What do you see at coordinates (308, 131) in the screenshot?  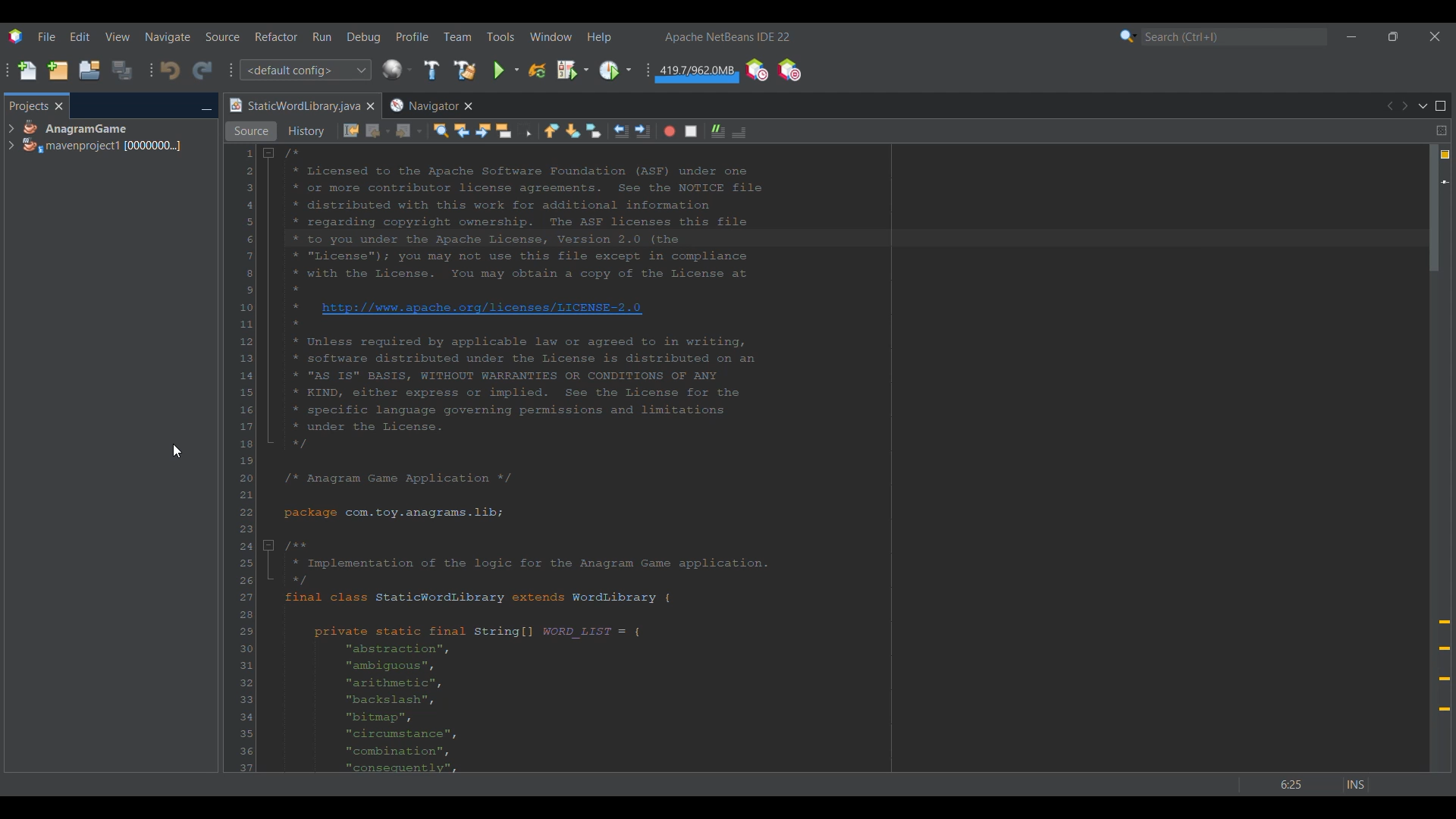 I see `History view` at bounding box center [308, 131].